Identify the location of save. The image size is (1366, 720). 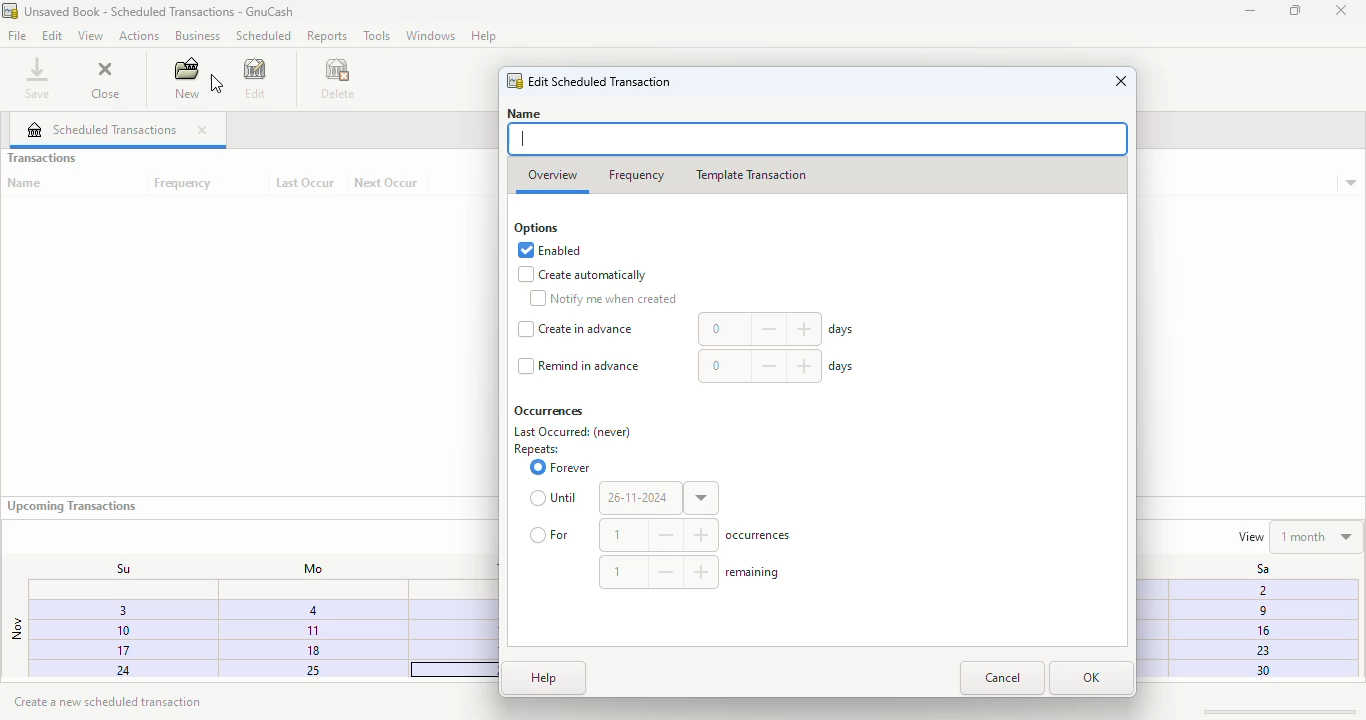
(38, 77).